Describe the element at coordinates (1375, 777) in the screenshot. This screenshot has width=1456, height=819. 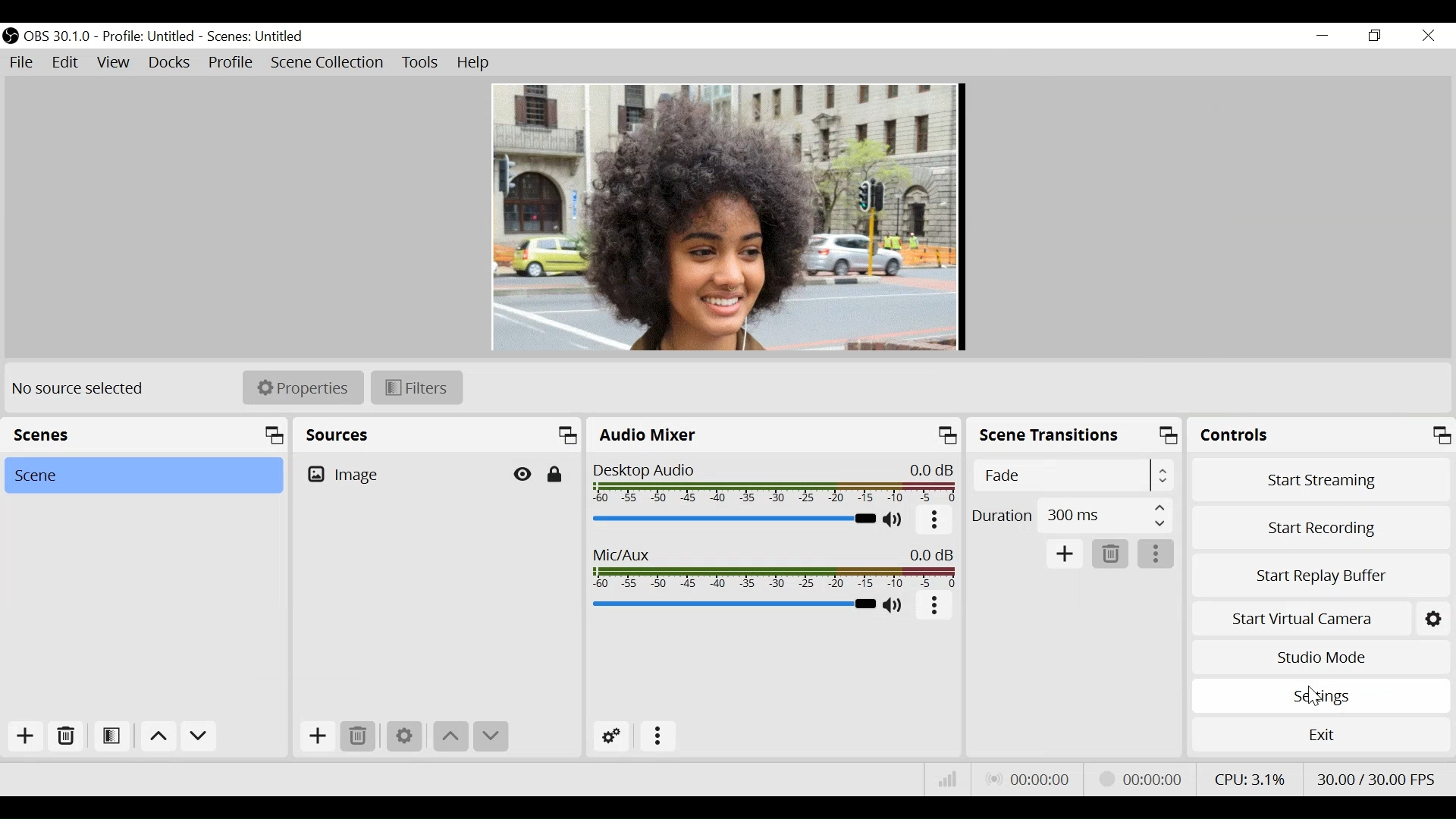
I see `Frame Per Second` at that location.